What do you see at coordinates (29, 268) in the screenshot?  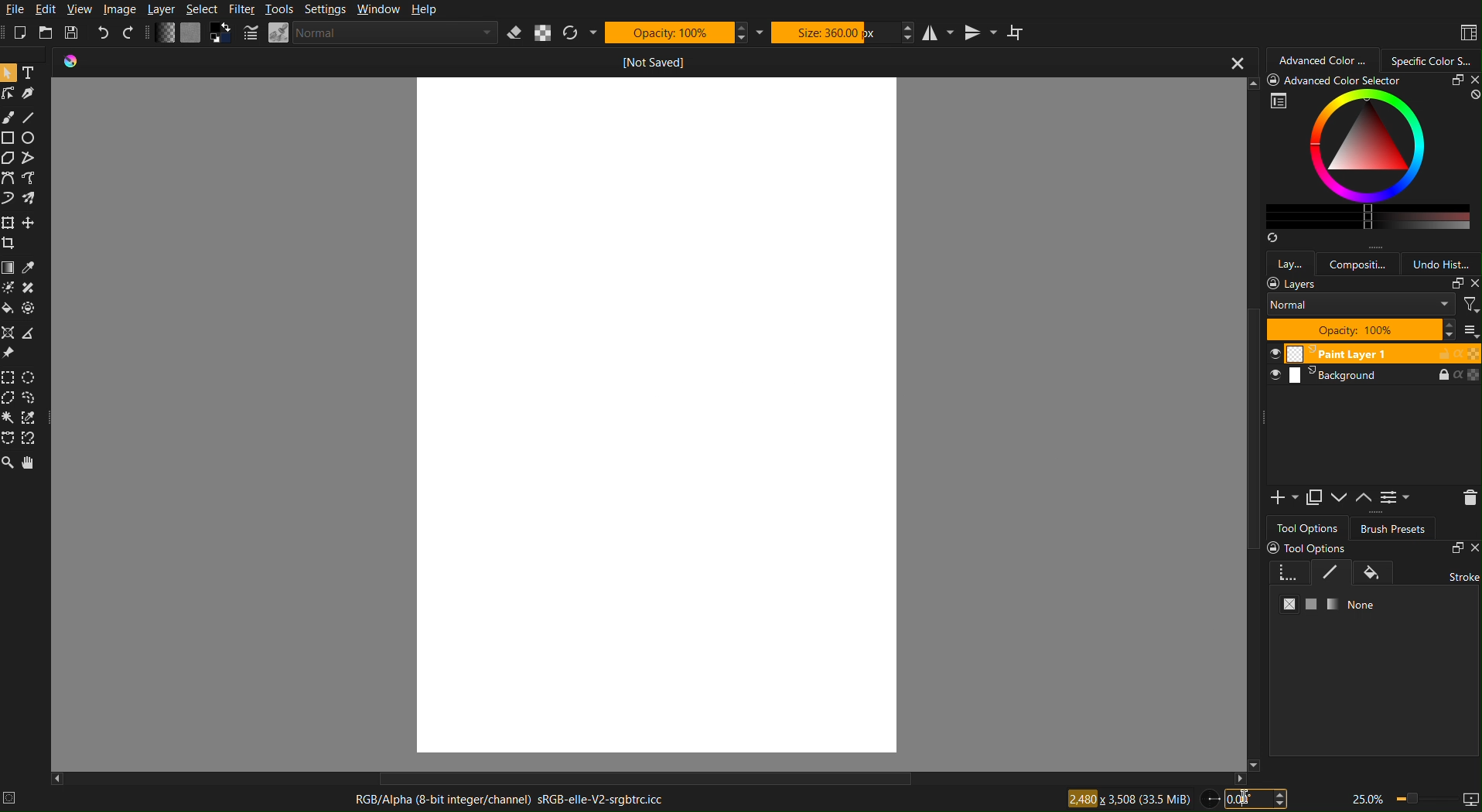 I see `Color Selector Tool (Eyedropper Tool)` at bounding box center [29, 268].